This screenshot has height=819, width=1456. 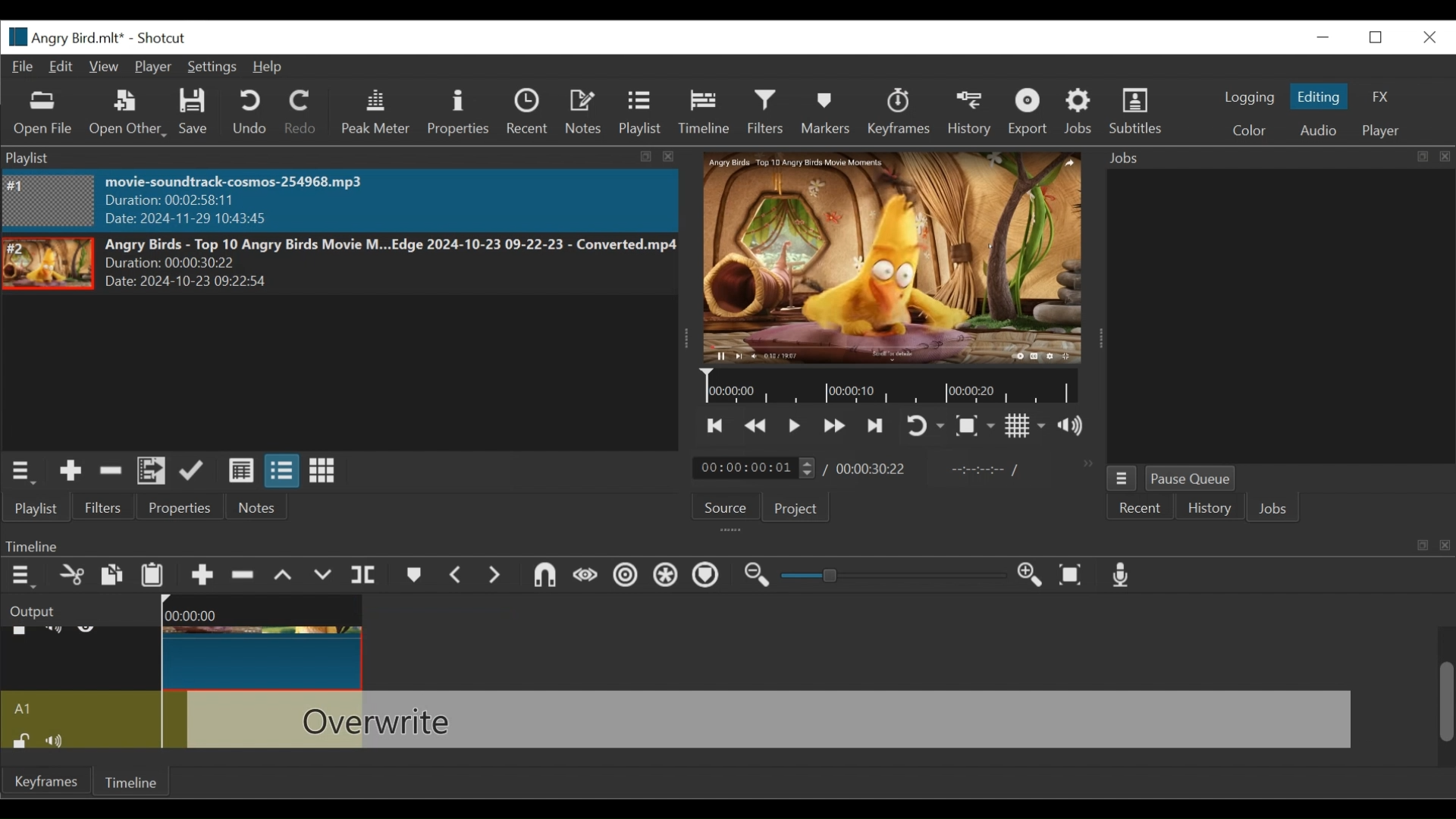 I want to click on 00:00:00(Timeline), so click(x=267, y=610).